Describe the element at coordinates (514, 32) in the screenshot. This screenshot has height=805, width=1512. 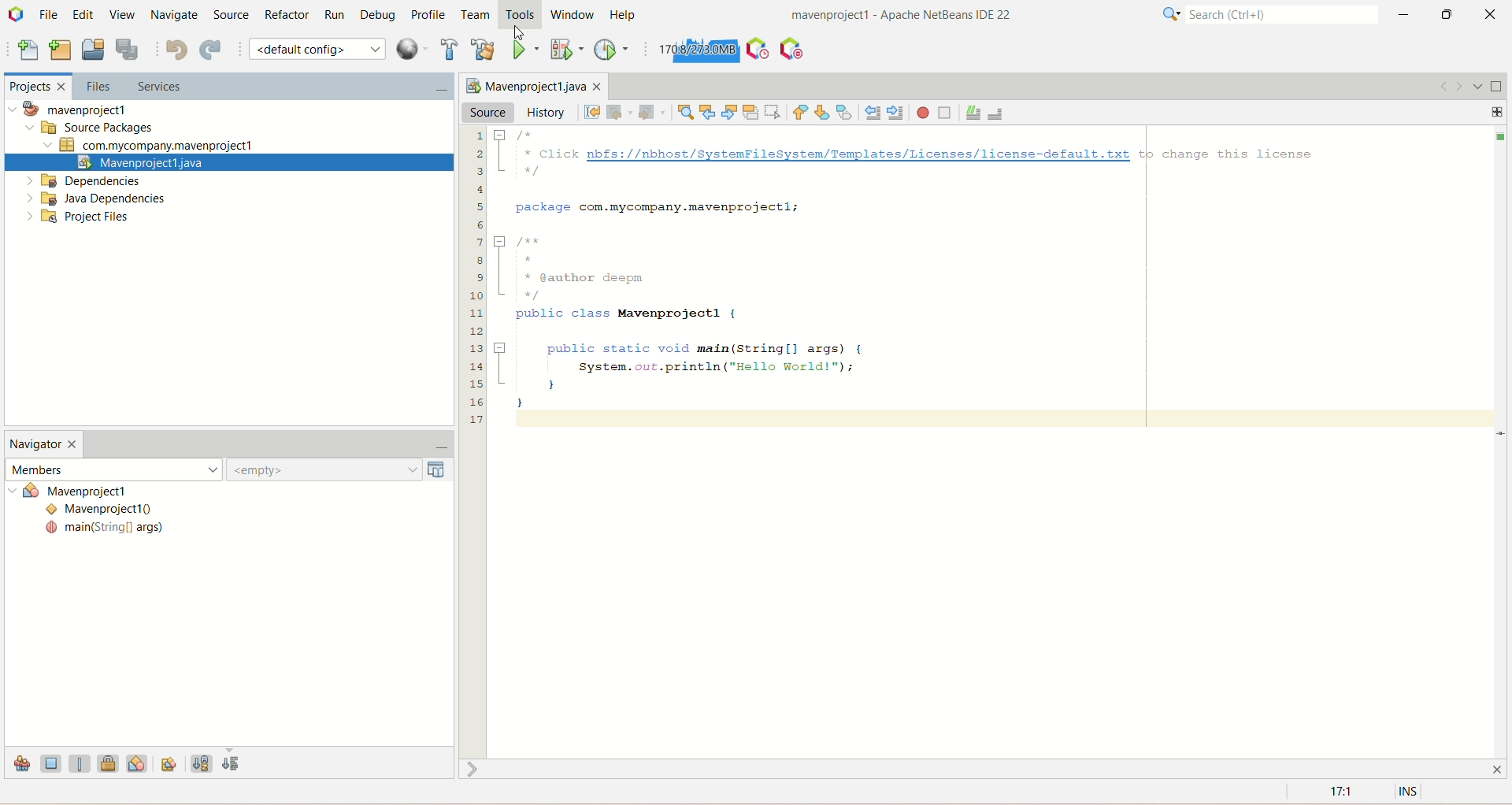
I see `cursor` at that location.